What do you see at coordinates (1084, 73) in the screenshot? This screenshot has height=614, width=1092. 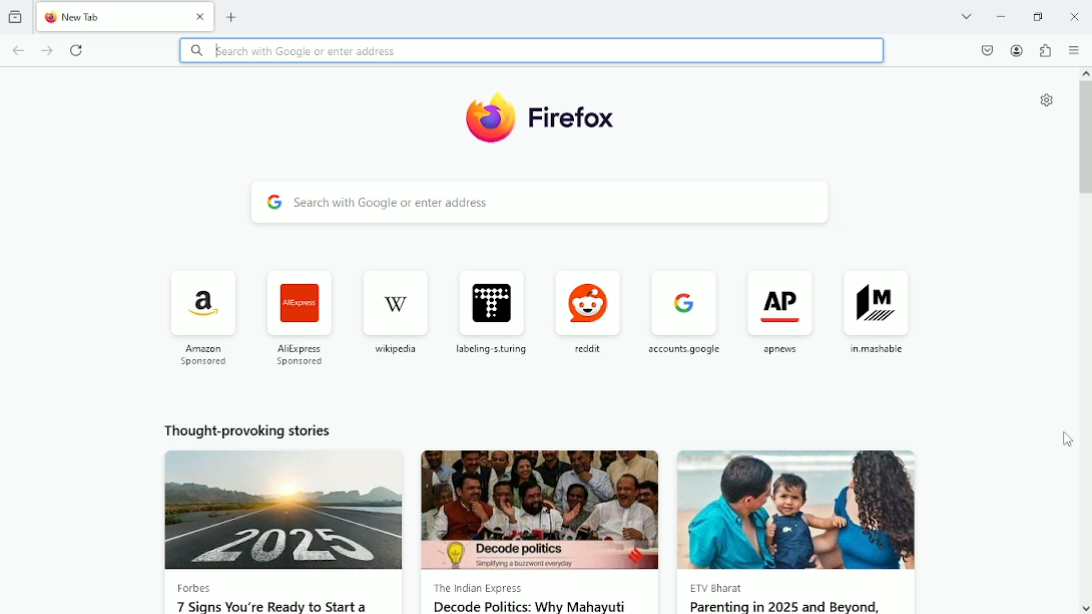 I see `scroll up` at bounding box center [1084, 73].